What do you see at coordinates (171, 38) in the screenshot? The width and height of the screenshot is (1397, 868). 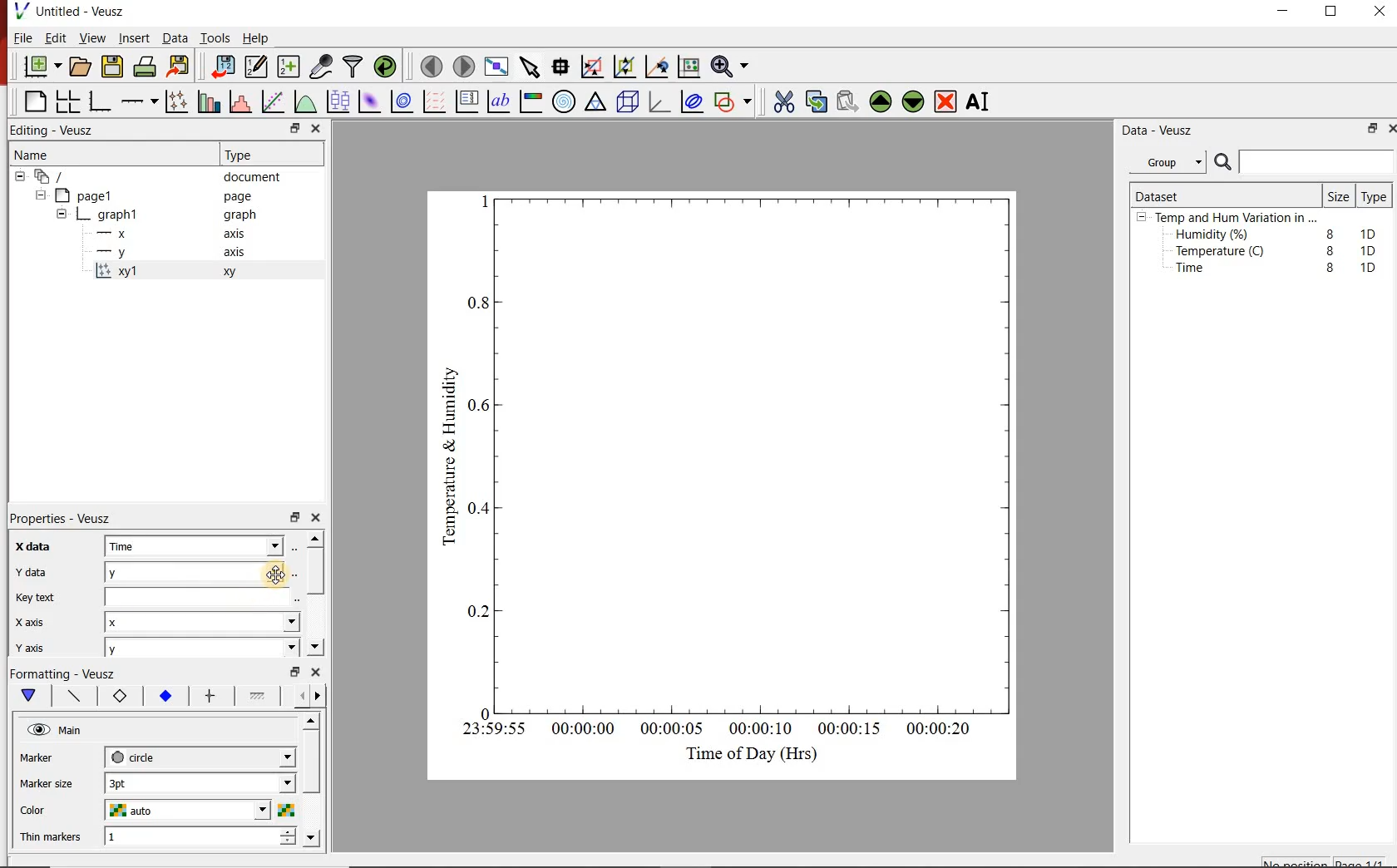 I see `Data` at bounding box center [171, 38].